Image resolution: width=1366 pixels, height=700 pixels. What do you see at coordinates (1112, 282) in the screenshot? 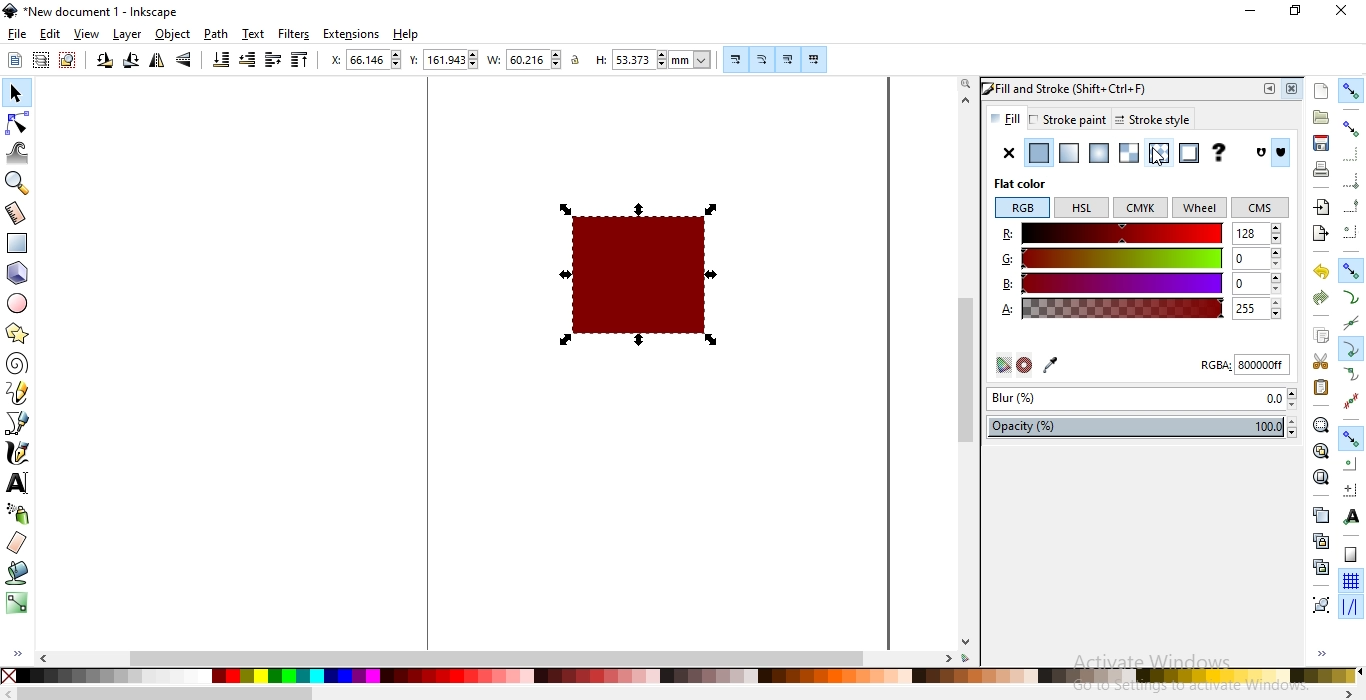
I see `B` at bounding box center [1112, 282].